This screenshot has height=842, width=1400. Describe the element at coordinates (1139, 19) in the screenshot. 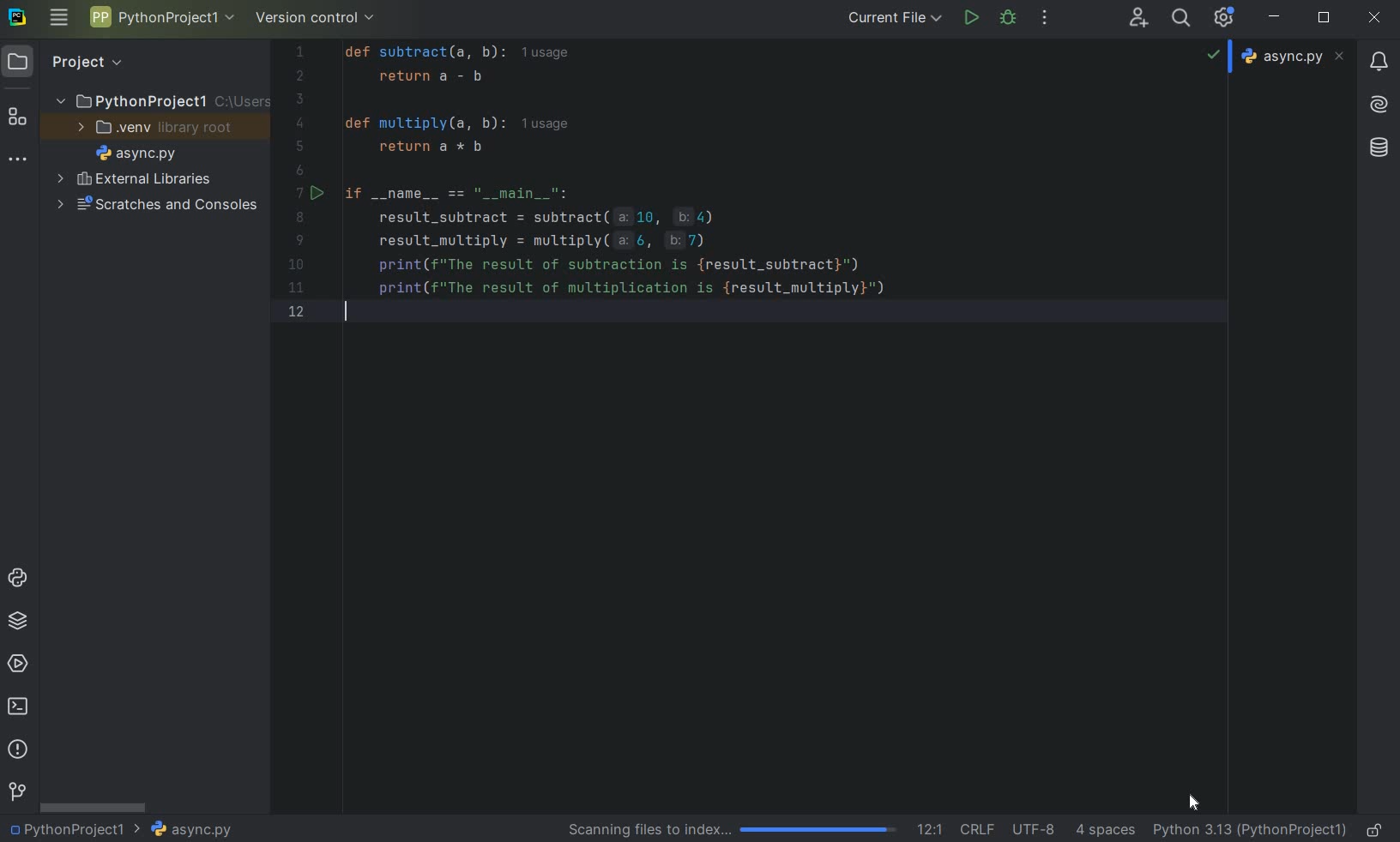

I see `code with me` at that location.